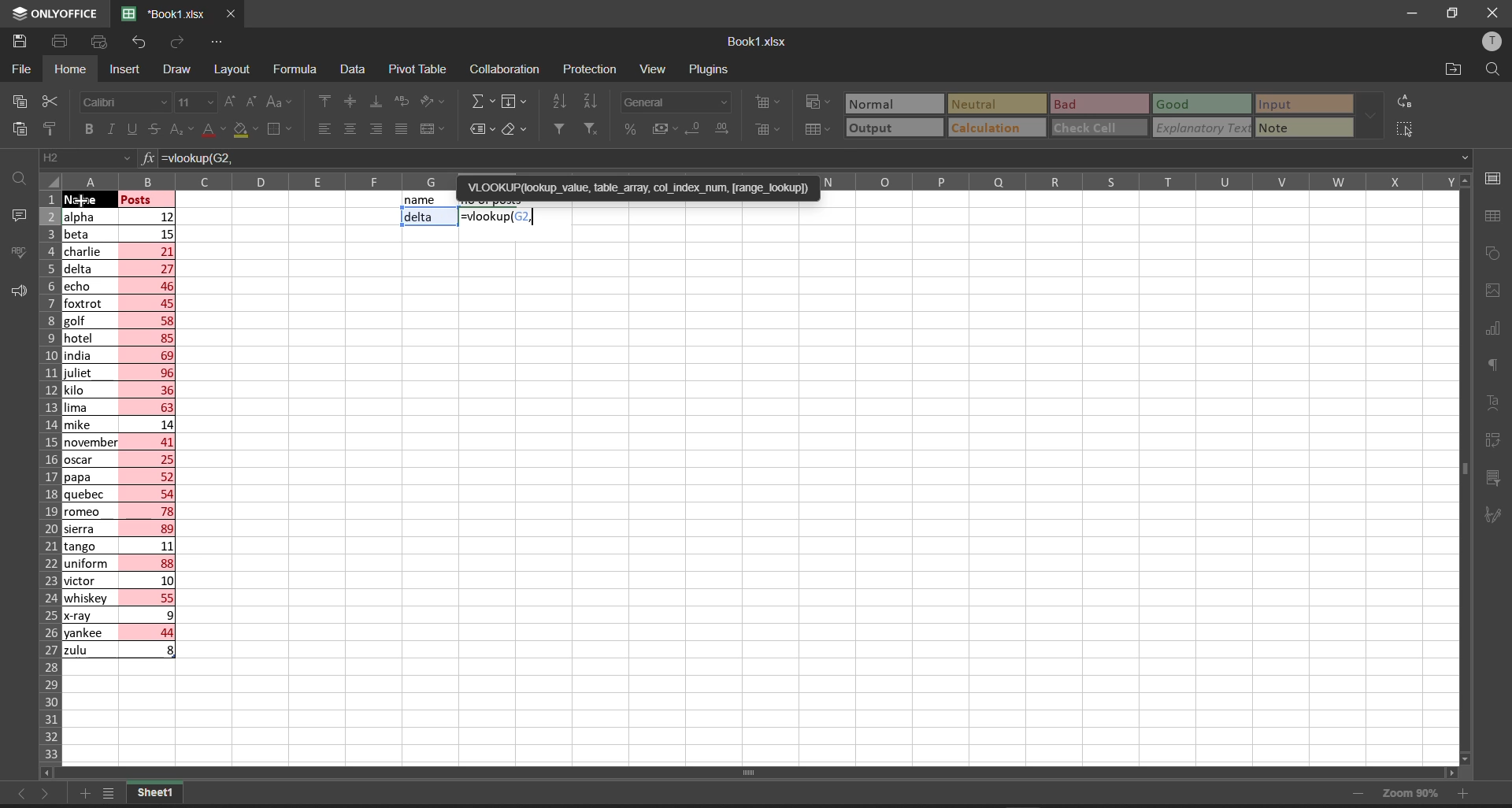 The image size is (1512, 808). What do you see at coordinates (760, 176) in the screenshot?
I see `column names` at bounding box center [760, 176].